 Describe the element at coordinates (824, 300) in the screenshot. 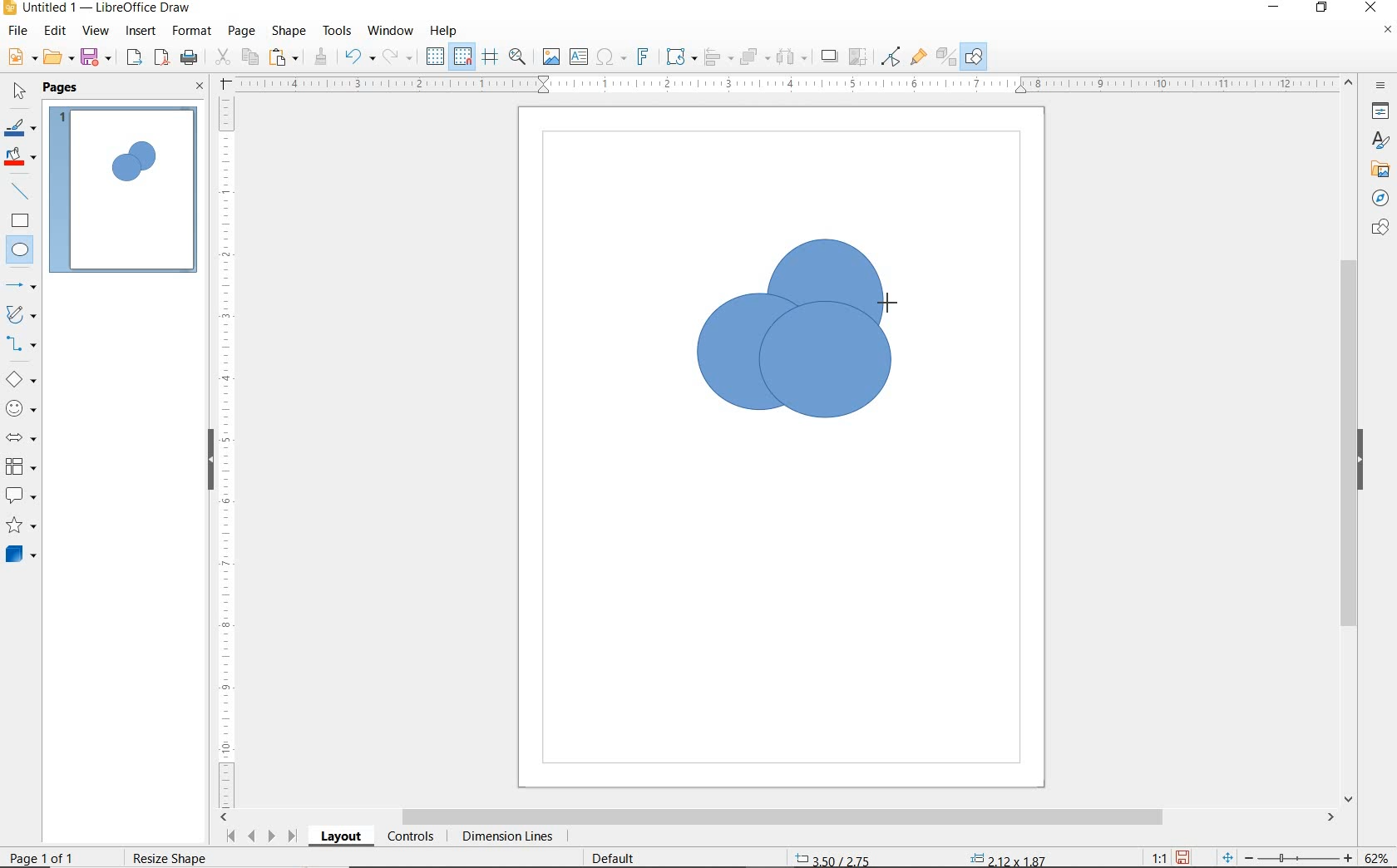

I see `DRAWN CIRCLE` at that location.